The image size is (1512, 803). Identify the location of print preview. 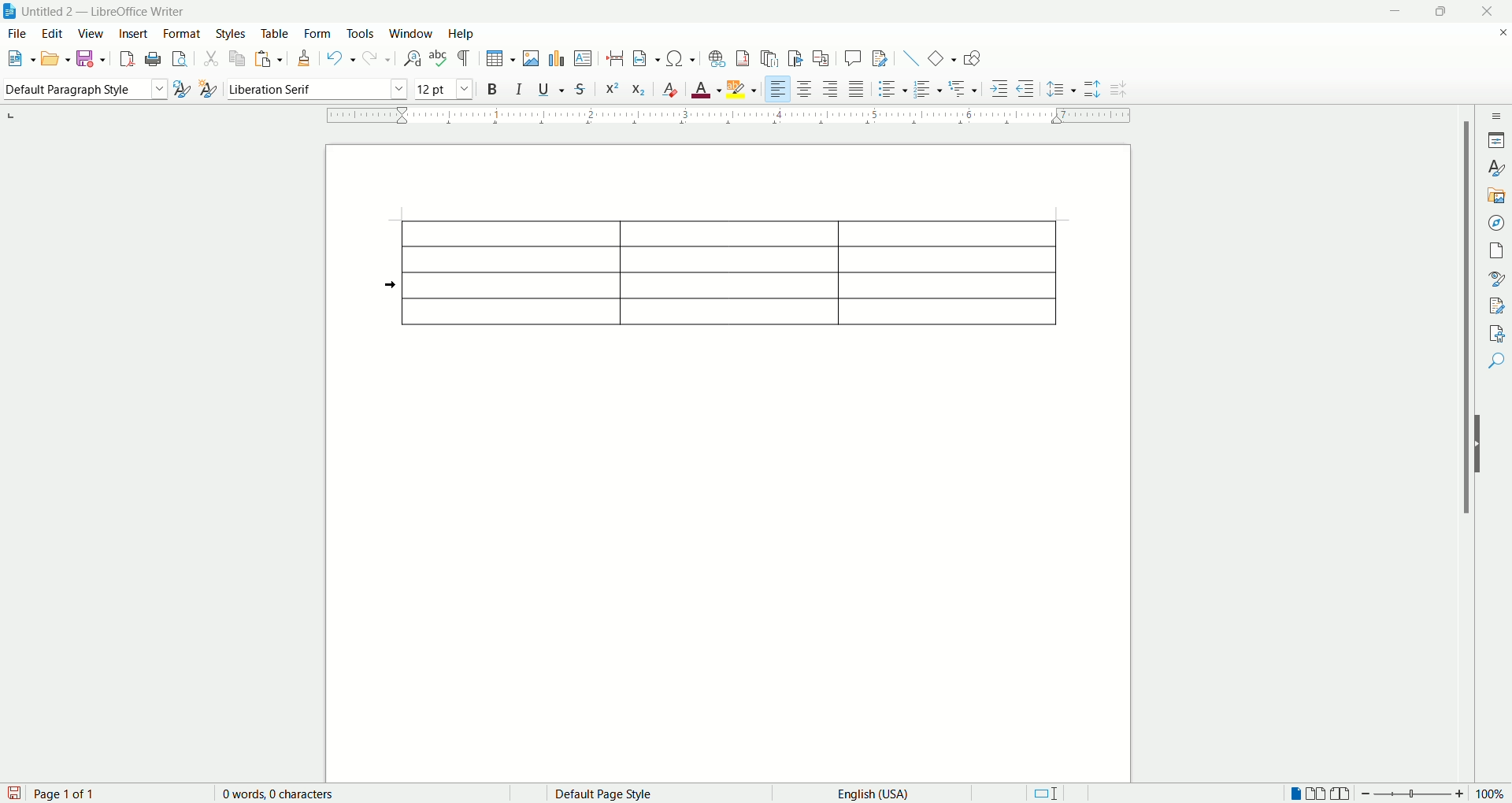
(179, 60).